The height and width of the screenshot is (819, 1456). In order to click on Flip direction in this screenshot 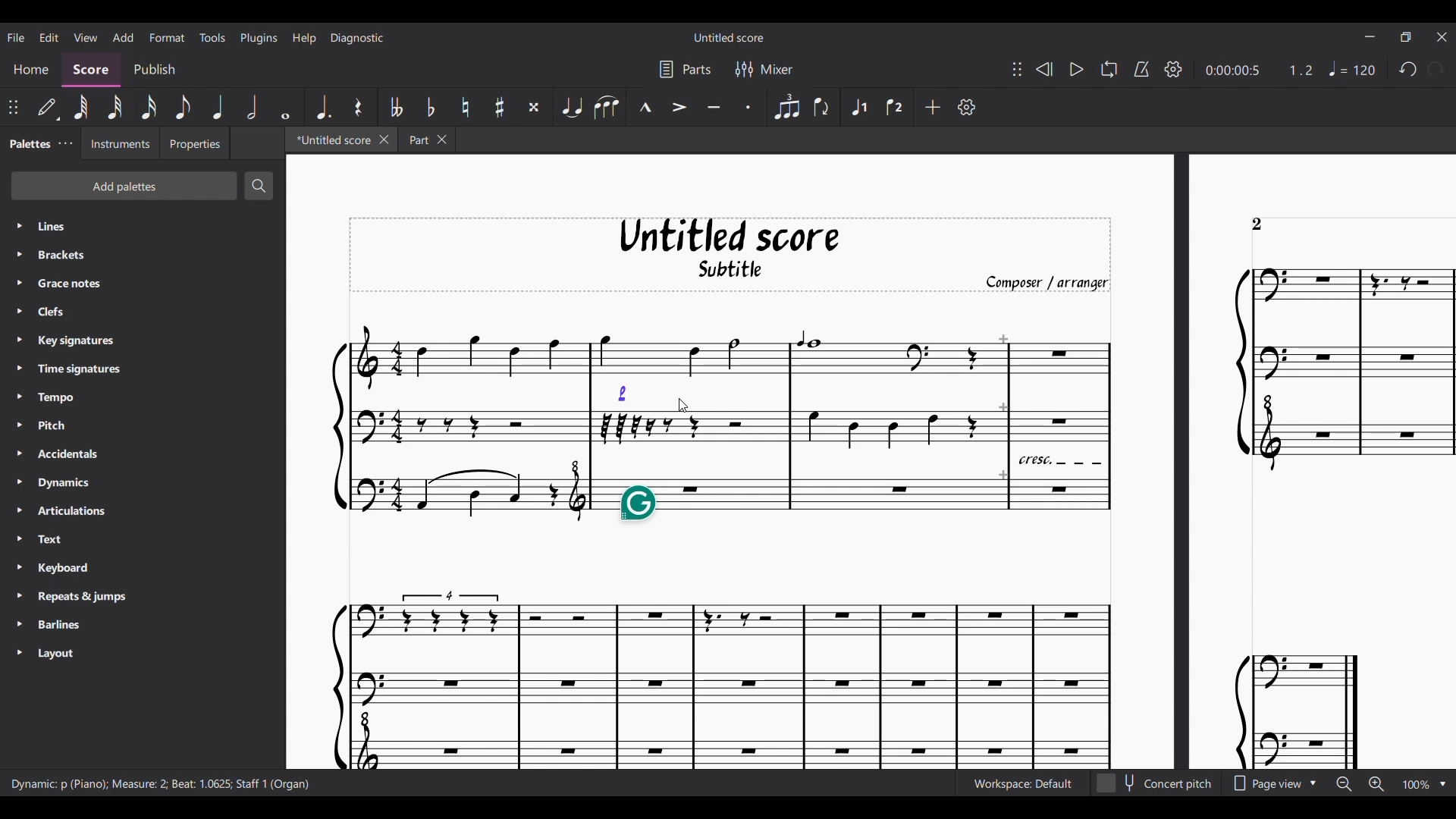, I will do `click(824, 107)`.